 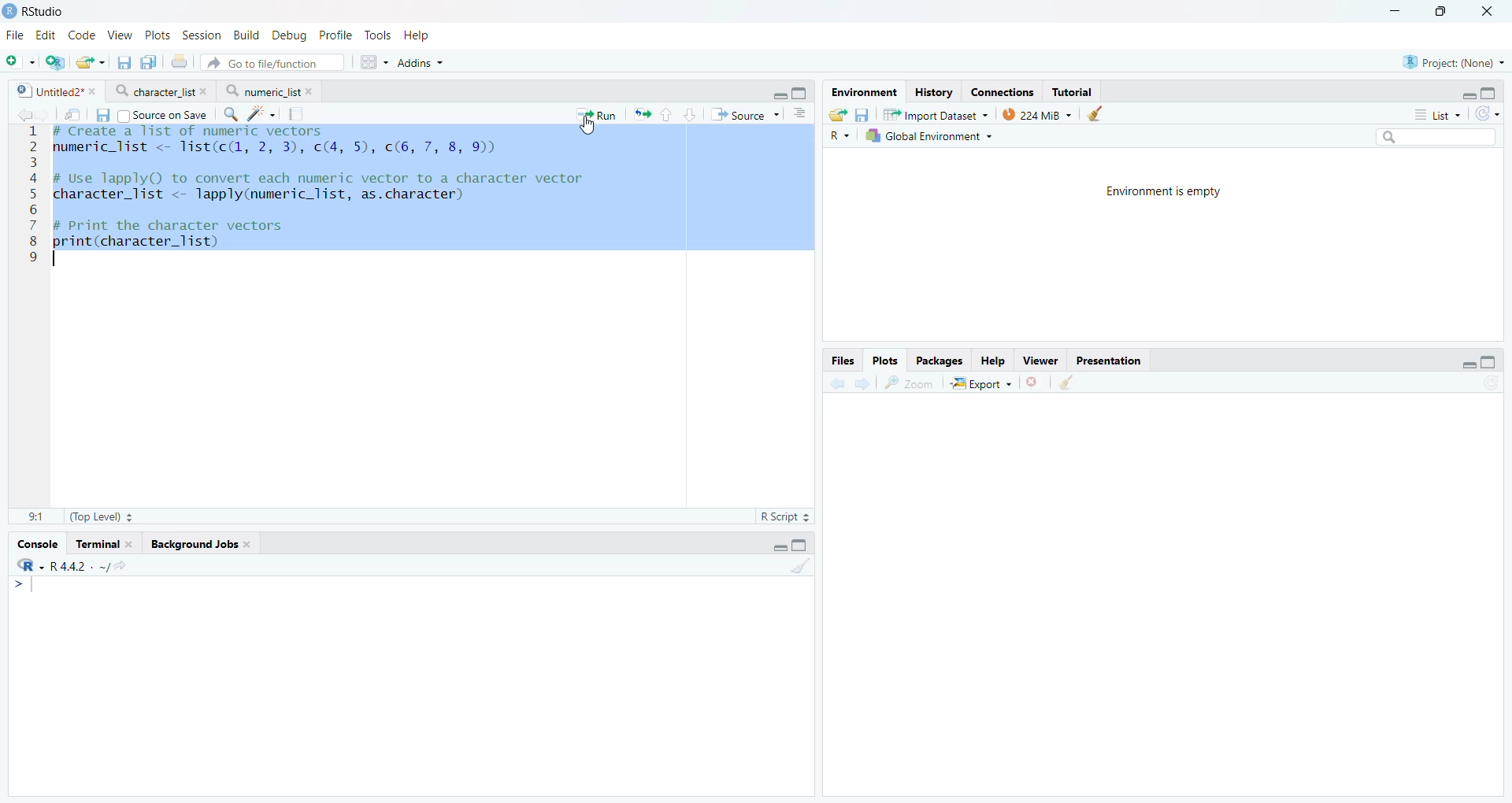 What do you see at coordinates (1467, 94) in the screenshot?
I see `Hide` at bounding box center [1467, 94].